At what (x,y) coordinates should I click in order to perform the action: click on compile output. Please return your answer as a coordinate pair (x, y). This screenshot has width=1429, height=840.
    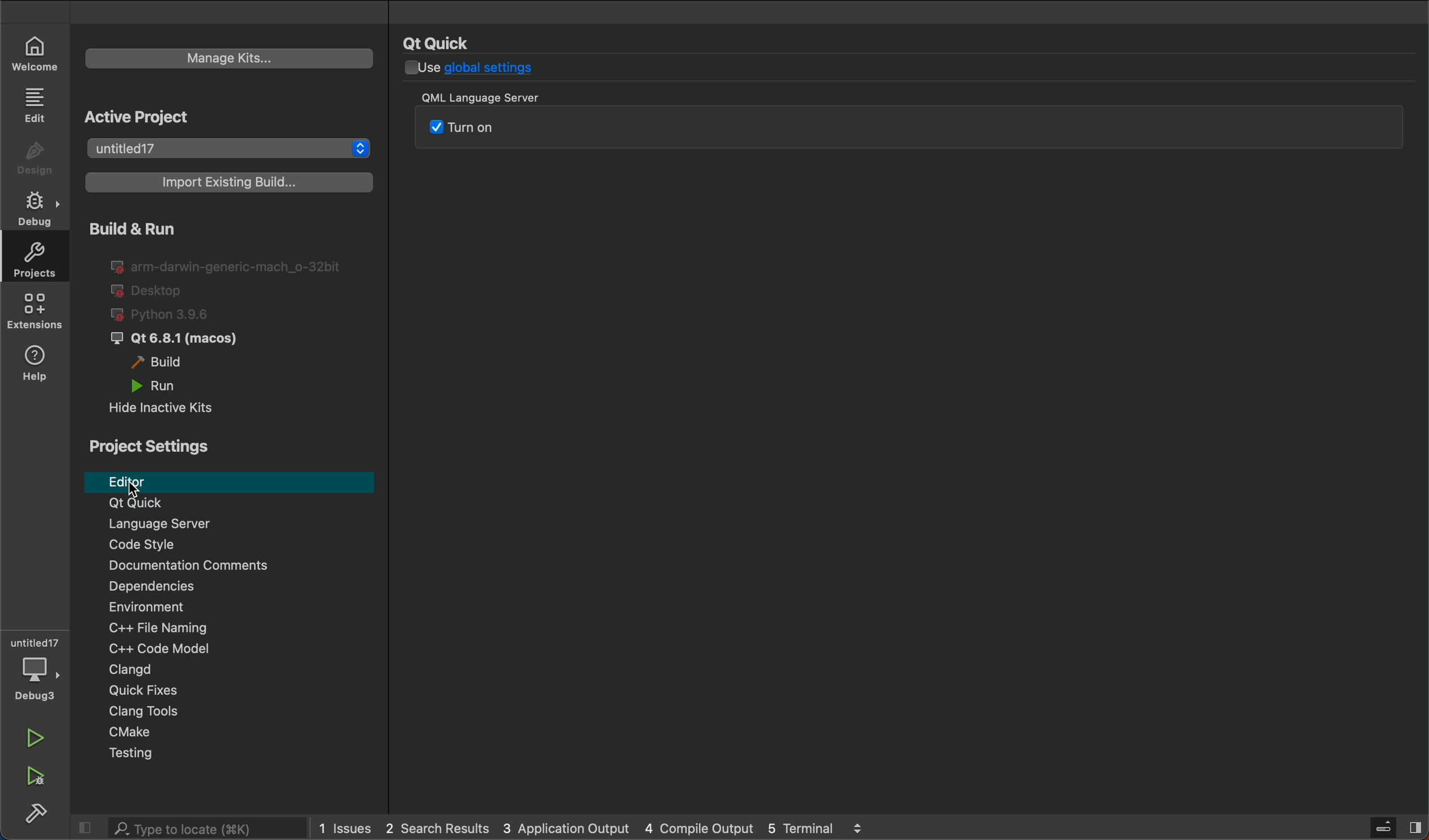
    Looking at the image, I should click on (698, 828).